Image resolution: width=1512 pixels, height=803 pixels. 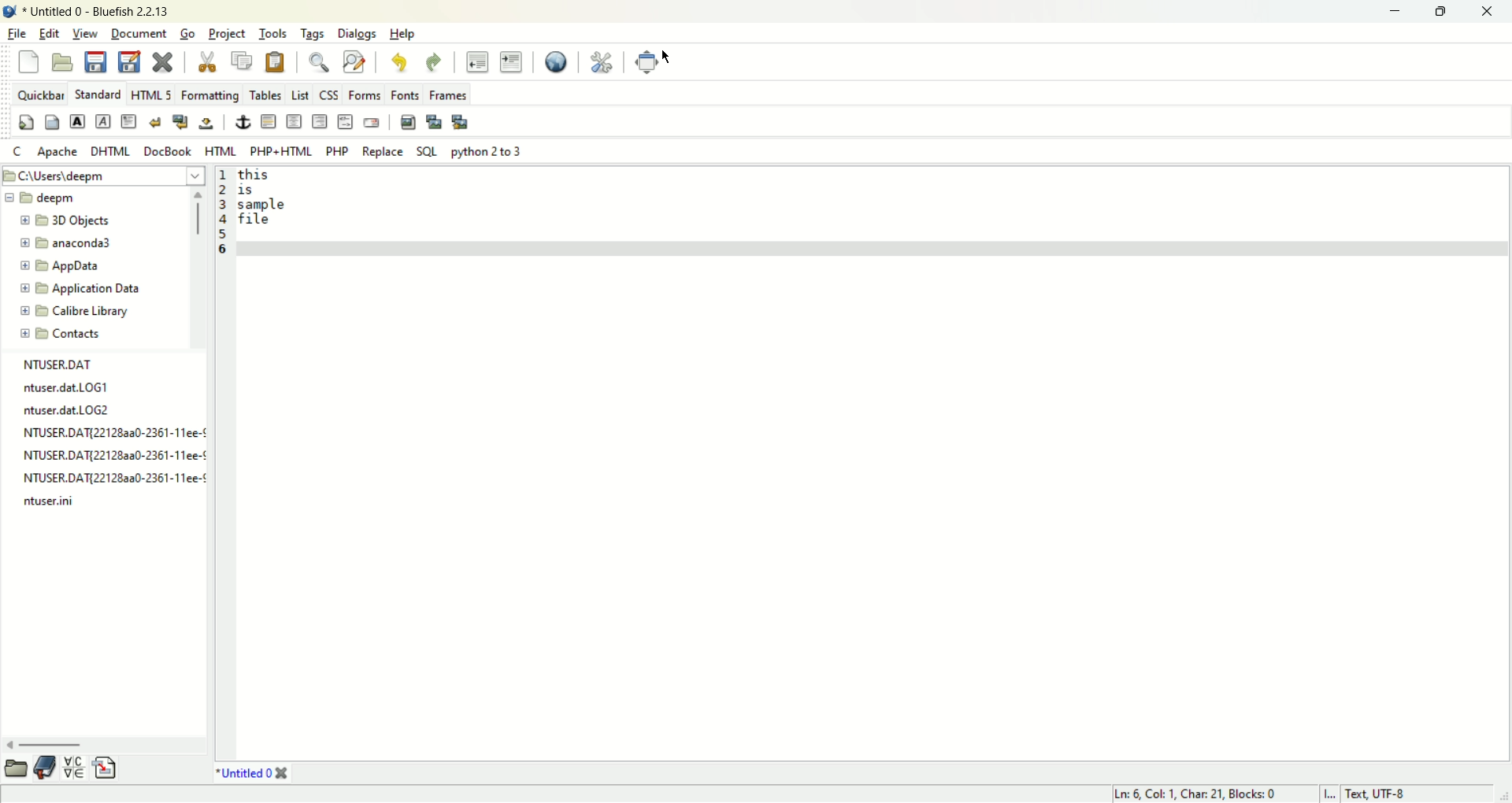 What do you see at coordinates (201, 272) in the screenshot?
I see `vertical scroll bar` at bounding box center [201, 272].